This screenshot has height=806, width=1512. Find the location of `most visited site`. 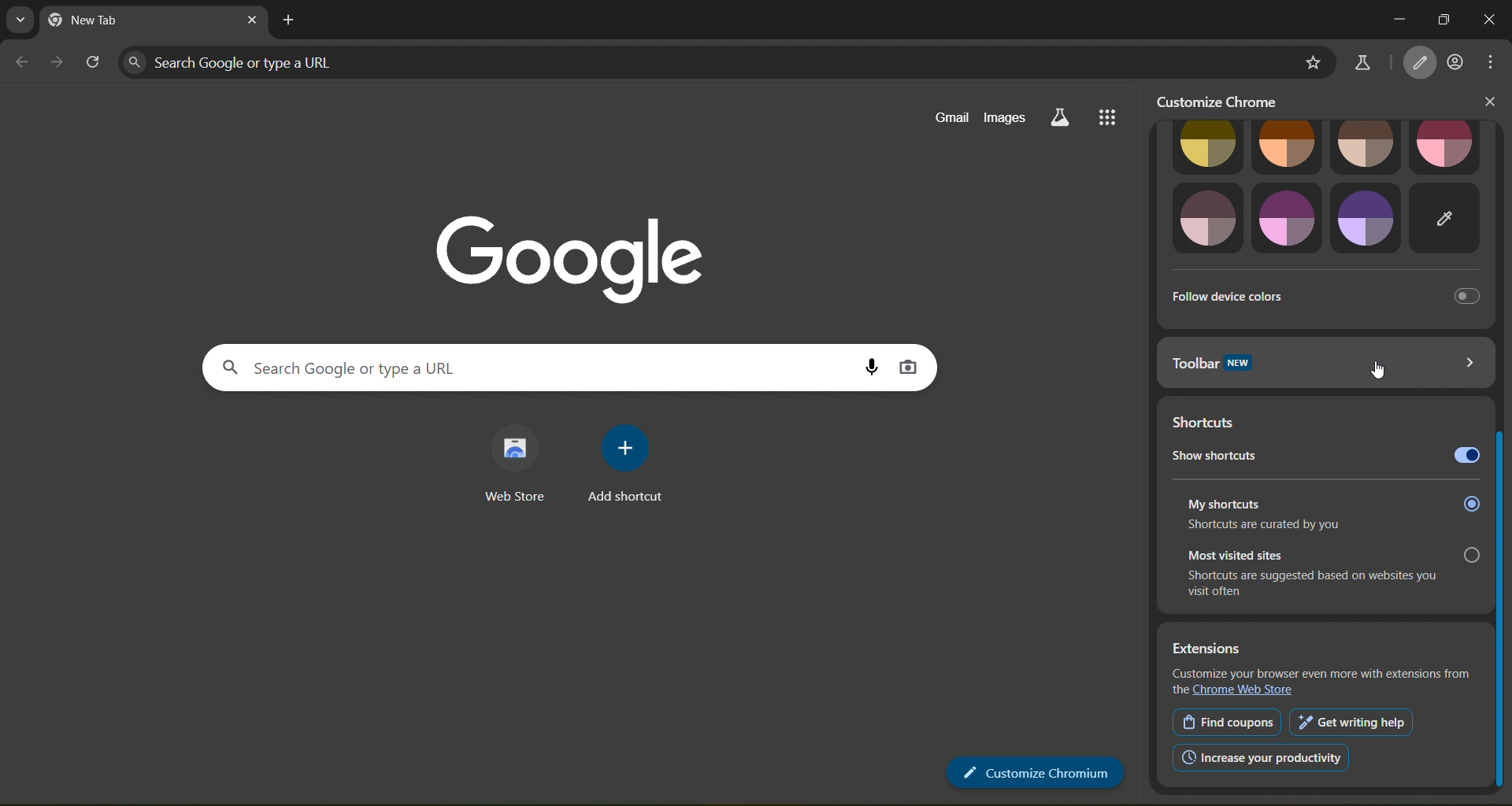

most visited site is located at coordinates (1332, 554).